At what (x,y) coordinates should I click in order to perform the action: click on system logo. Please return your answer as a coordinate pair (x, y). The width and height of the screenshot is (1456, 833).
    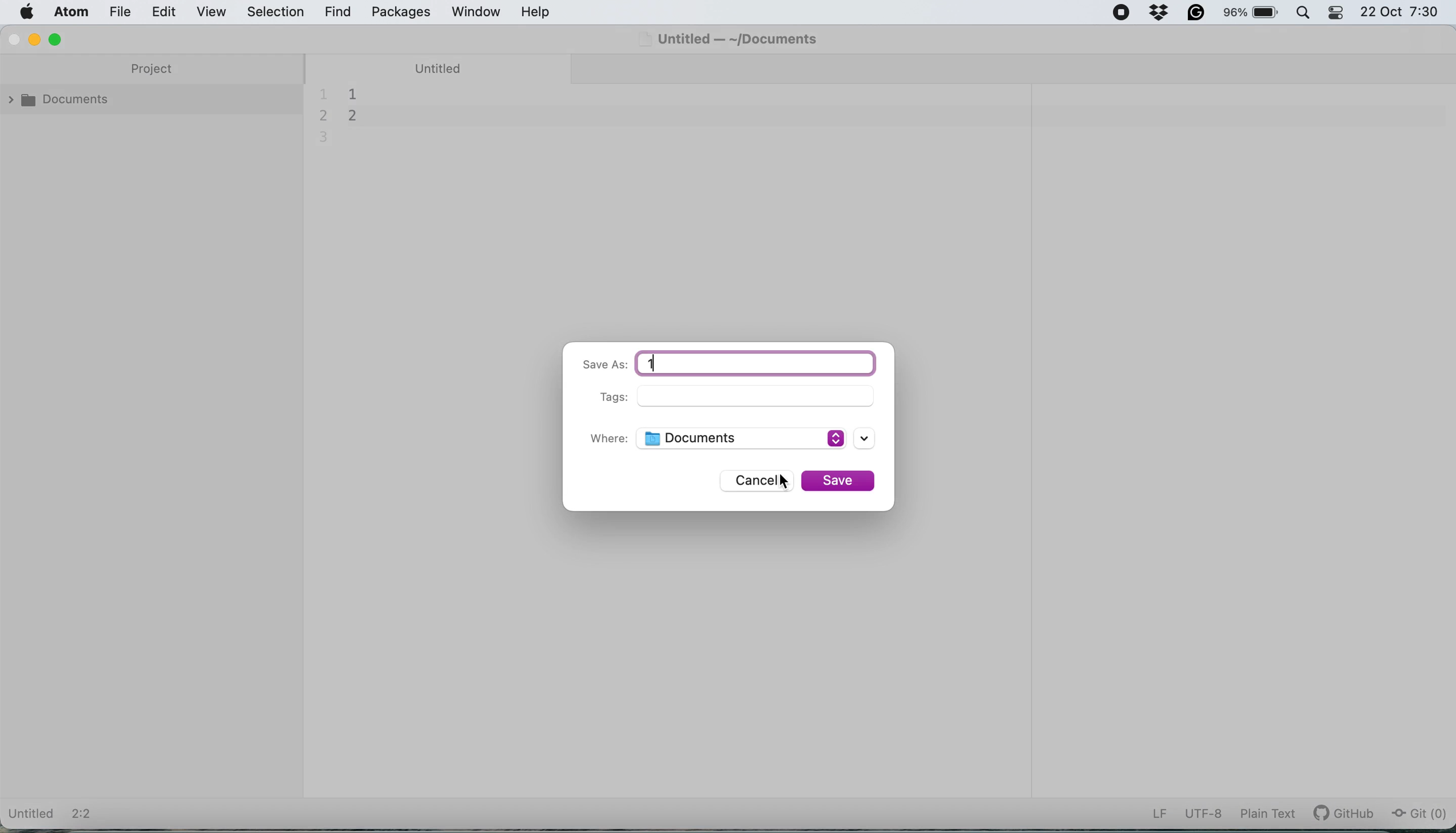
    Looking at the image, I should click on (27, 14).